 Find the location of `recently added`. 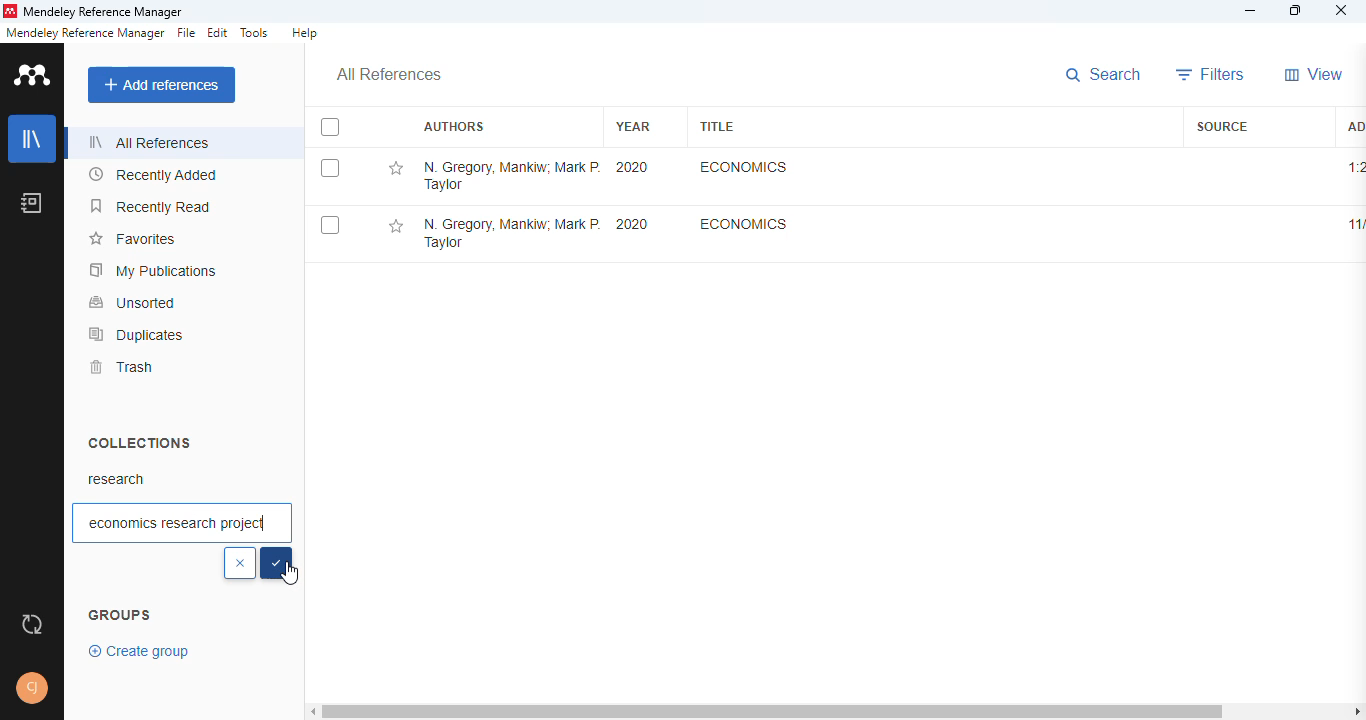

recently added is located at coordinates (154, 175).